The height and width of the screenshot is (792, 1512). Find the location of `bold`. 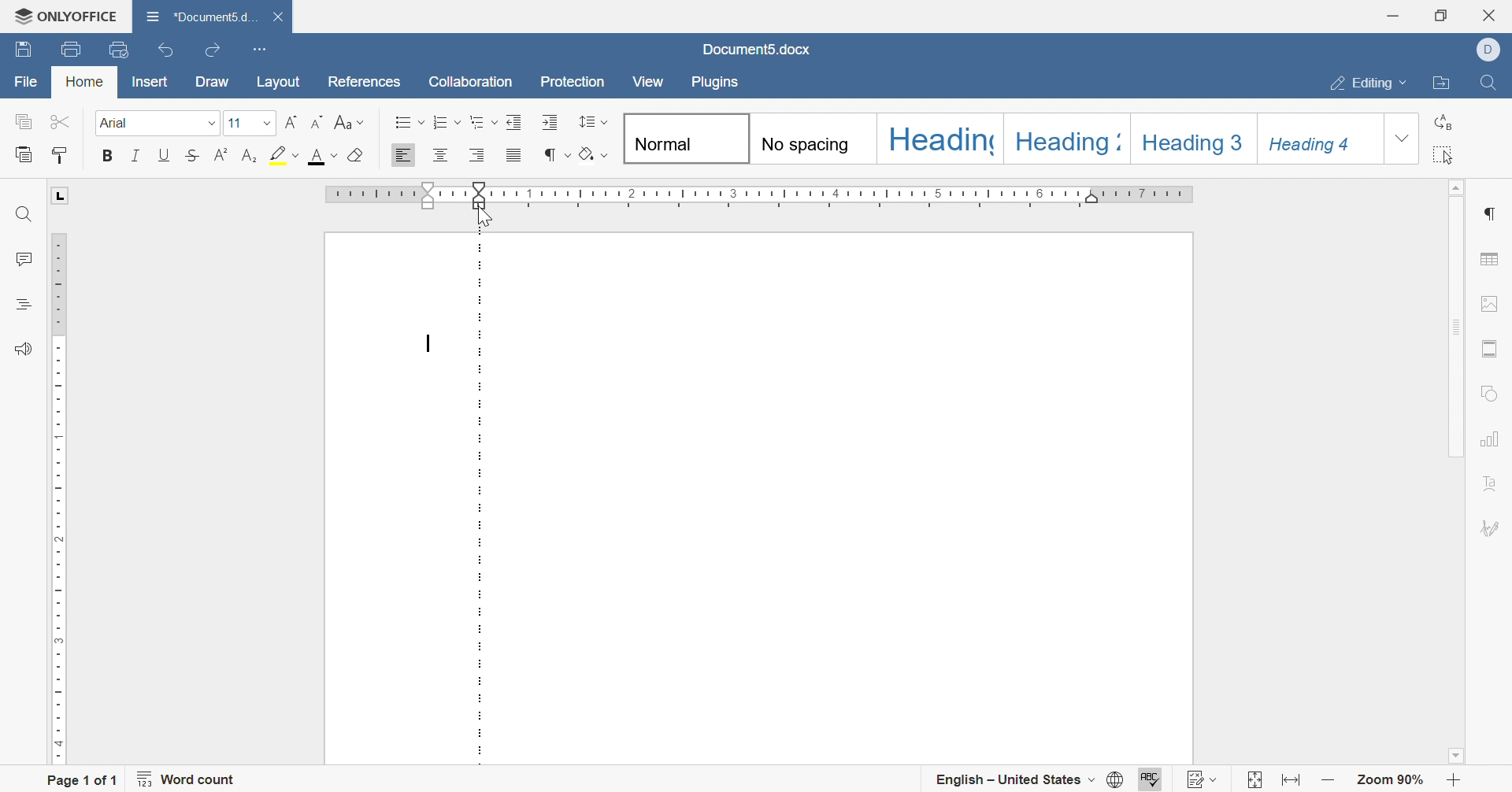

bold is located at coordinates (105, 154).